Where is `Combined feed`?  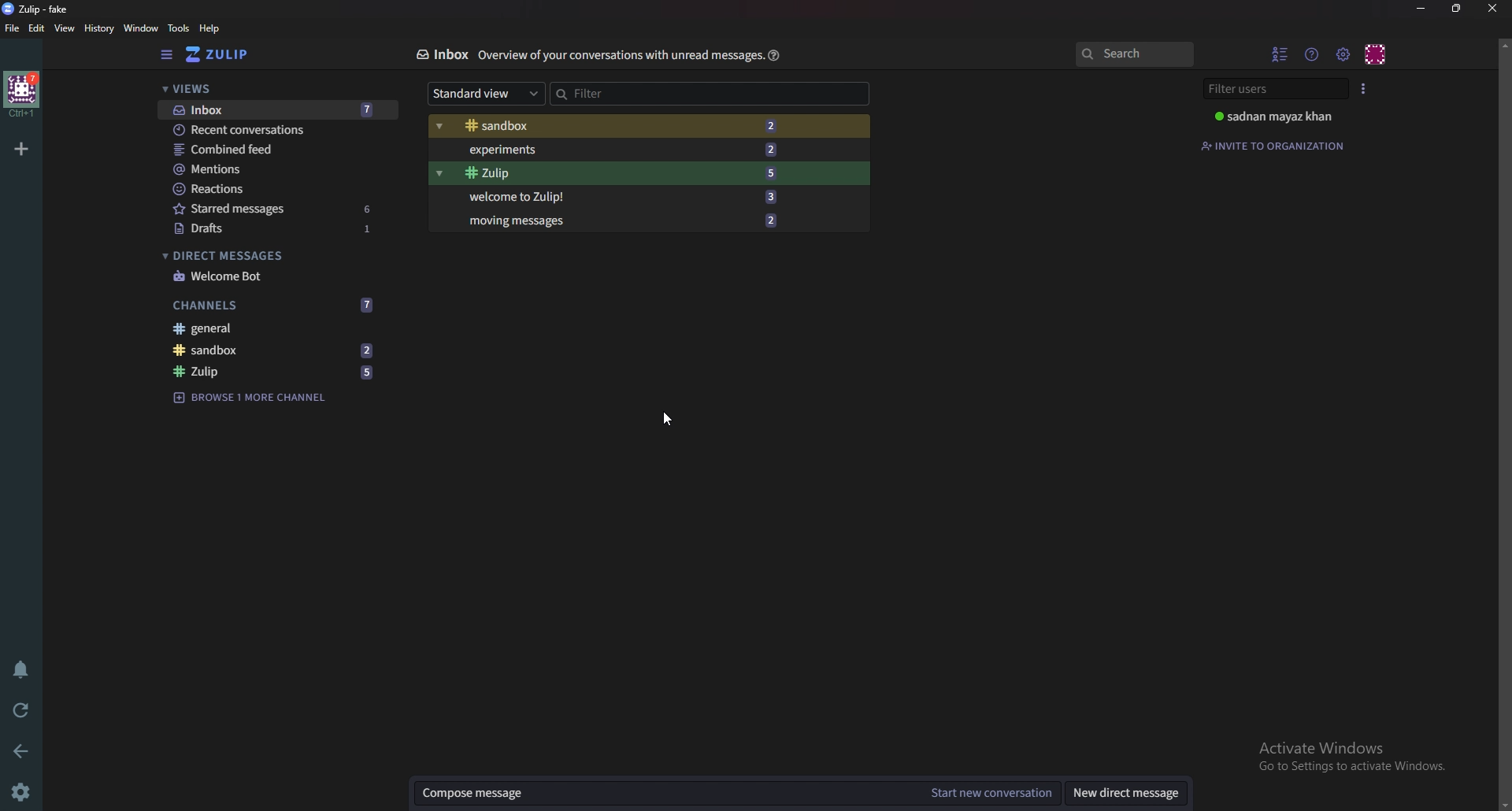
Combined feed is located at coordinates (271, 150).